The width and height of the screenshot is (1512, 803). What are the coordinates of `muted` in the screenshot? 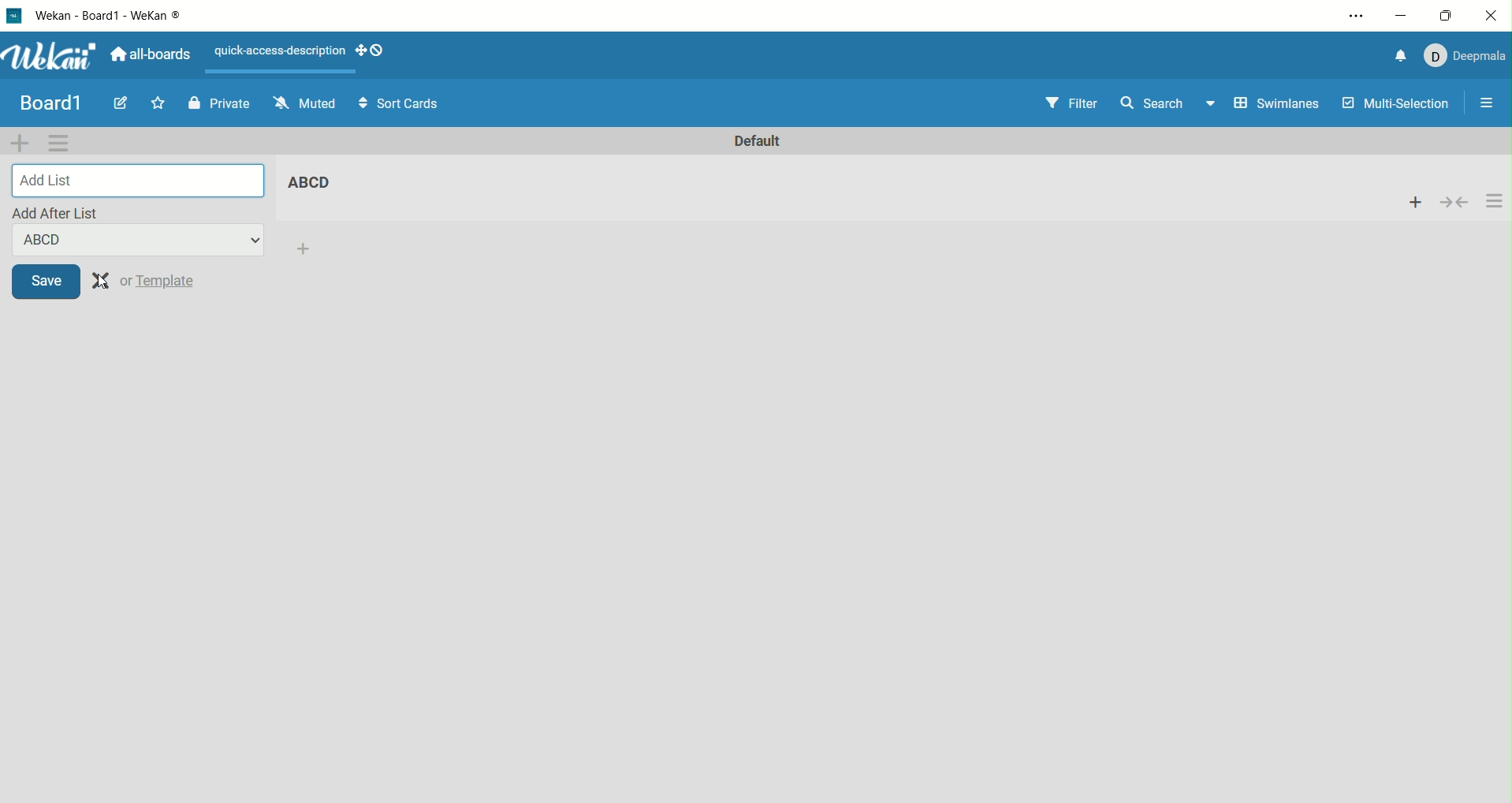 It's located at (305, 102).